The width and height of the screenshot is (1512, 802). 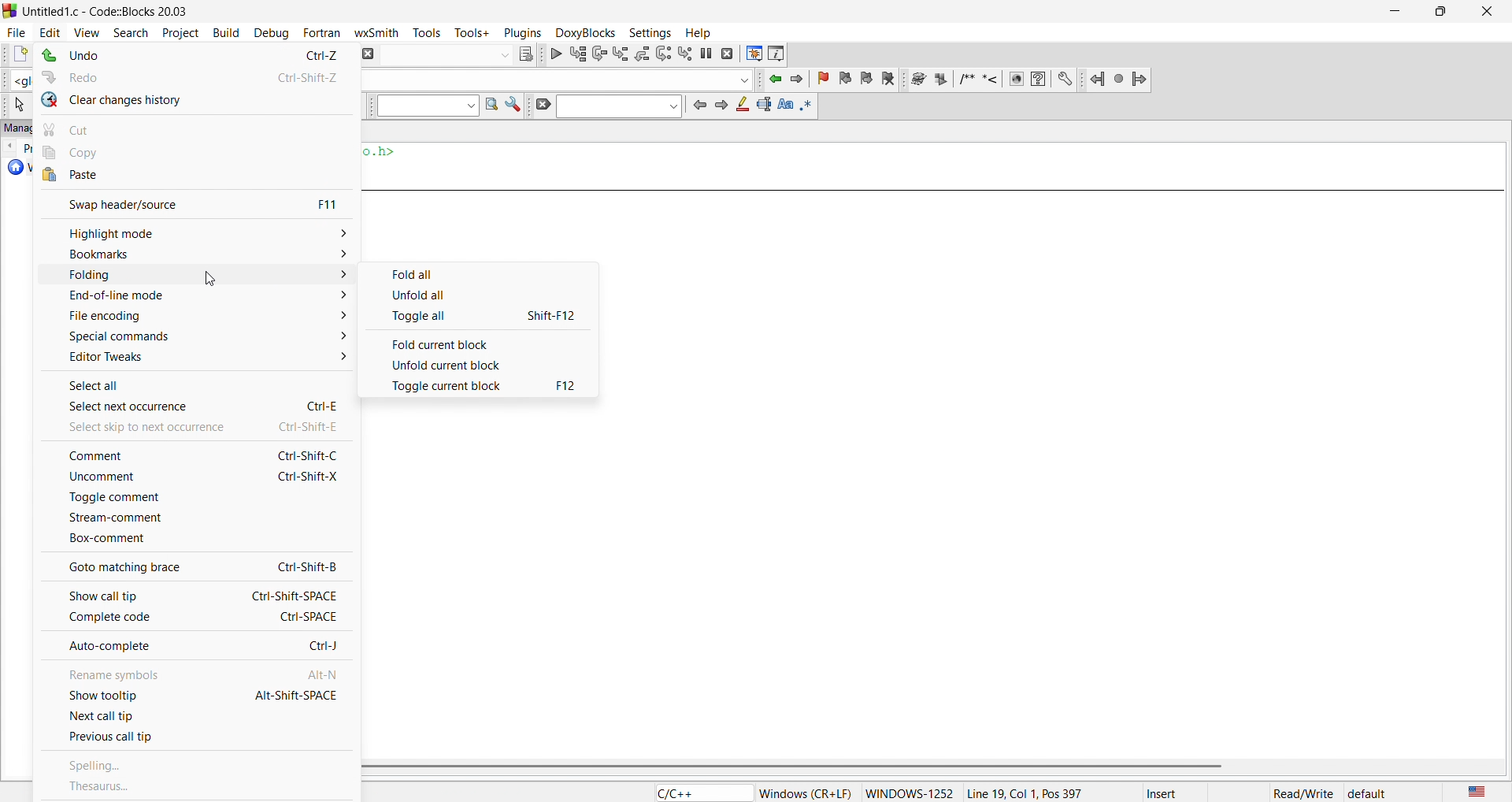 I want to click on close, so click(x=1485, y=12).